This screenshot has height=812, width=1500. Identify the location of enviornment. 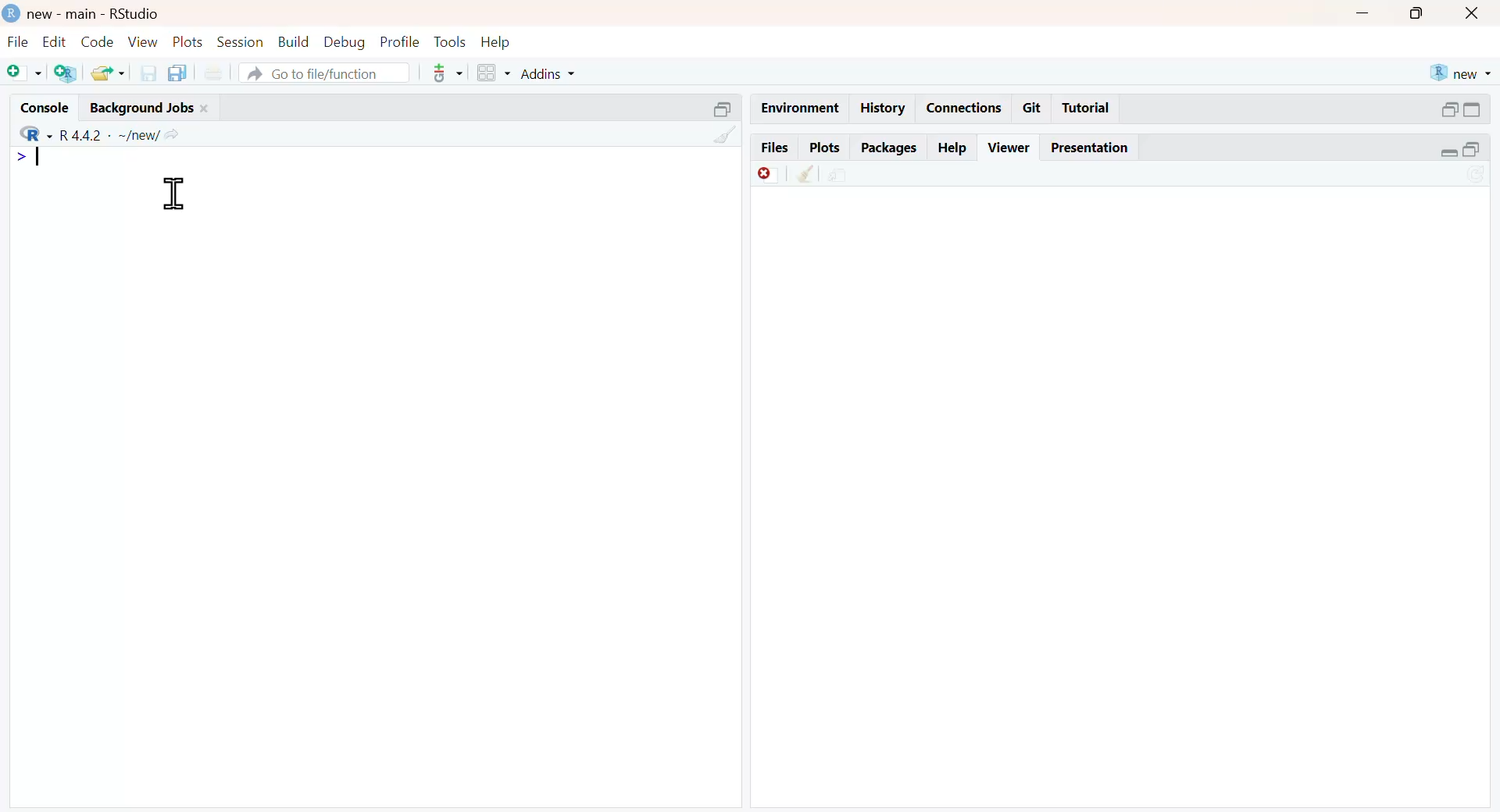
(802, 109).